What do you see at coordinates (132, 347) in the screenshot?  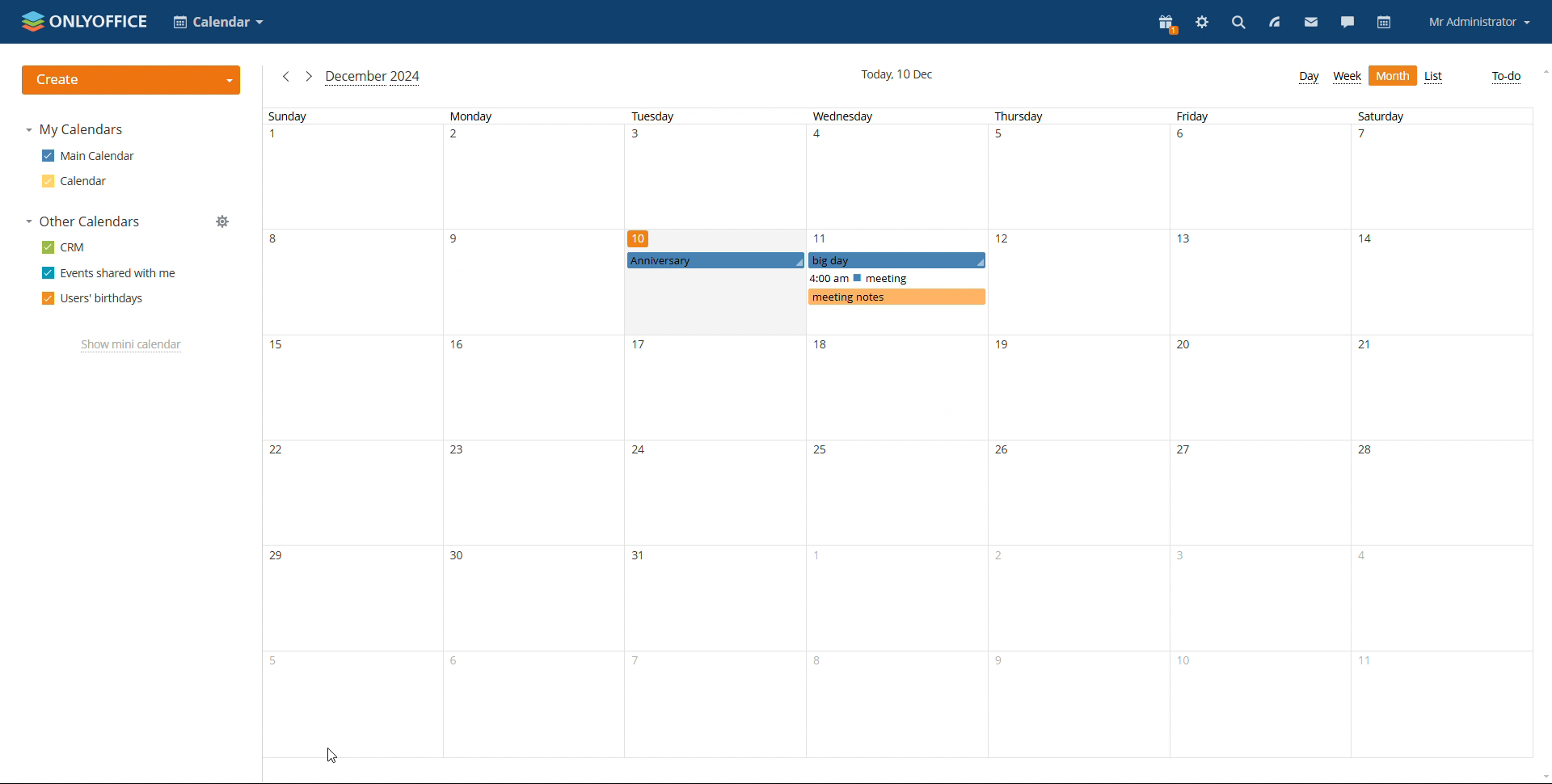 I see `show mini calendar` at bounding box center [132, 347].